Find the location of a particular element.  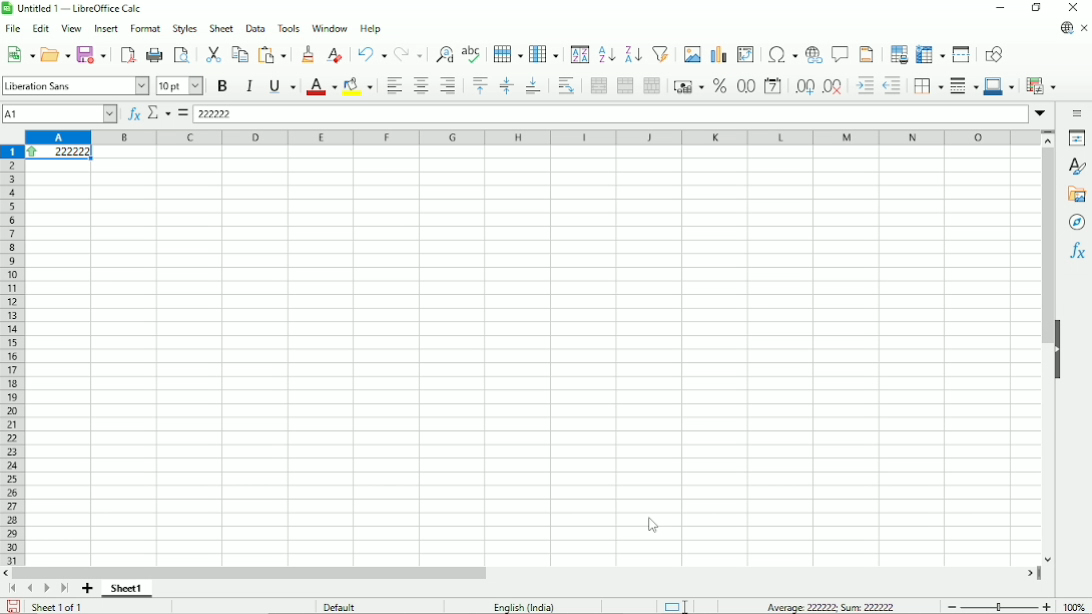

Zoom factor is located at coordinates (1074, 606).